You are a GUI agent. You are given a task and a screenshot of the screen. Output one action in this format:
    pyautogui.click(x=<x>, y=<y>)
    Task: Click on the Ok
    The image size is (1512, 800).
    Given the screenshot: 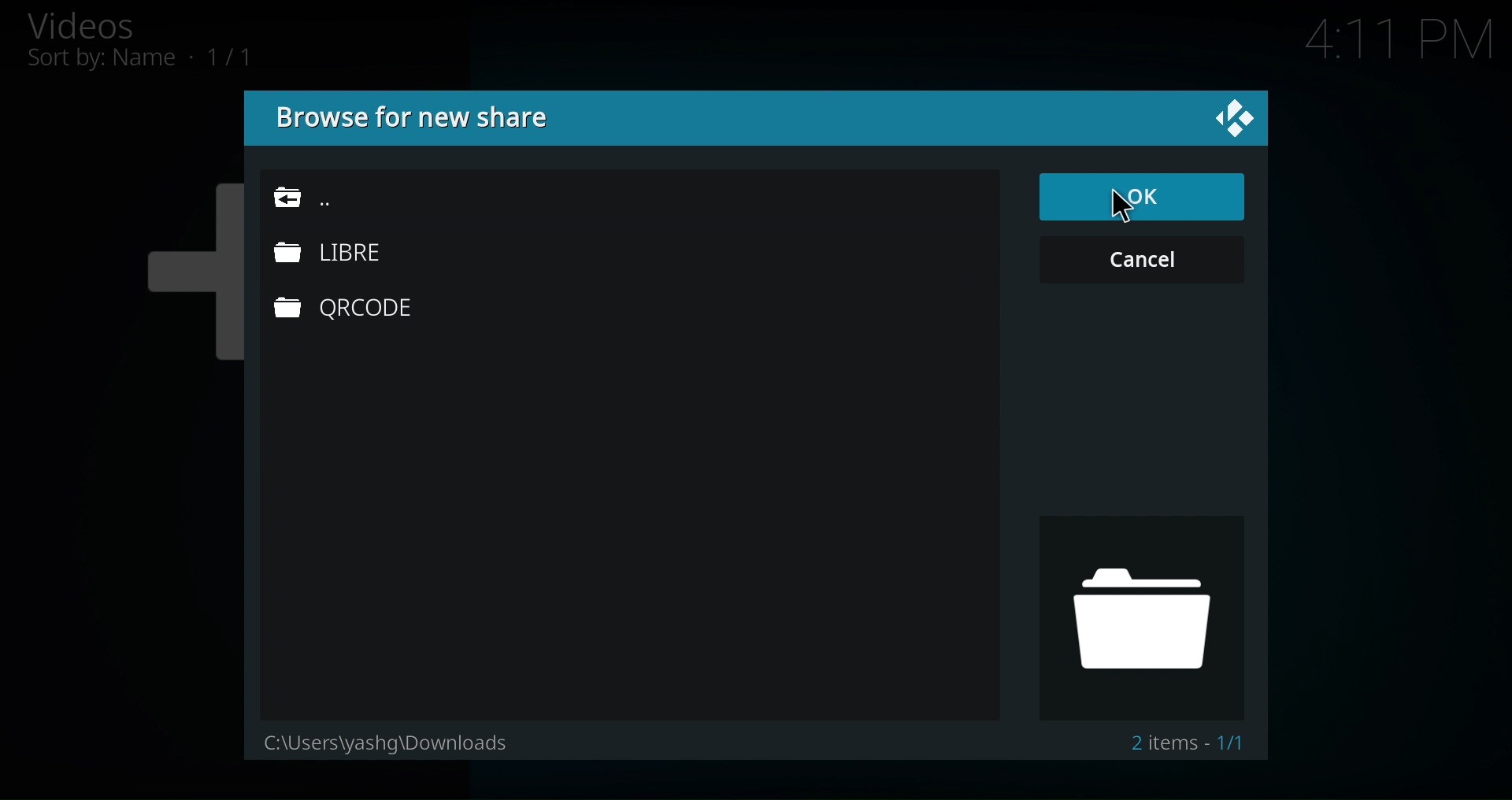 What is the action you would take?
    pyautogui.click(x=1145, y=197)
    